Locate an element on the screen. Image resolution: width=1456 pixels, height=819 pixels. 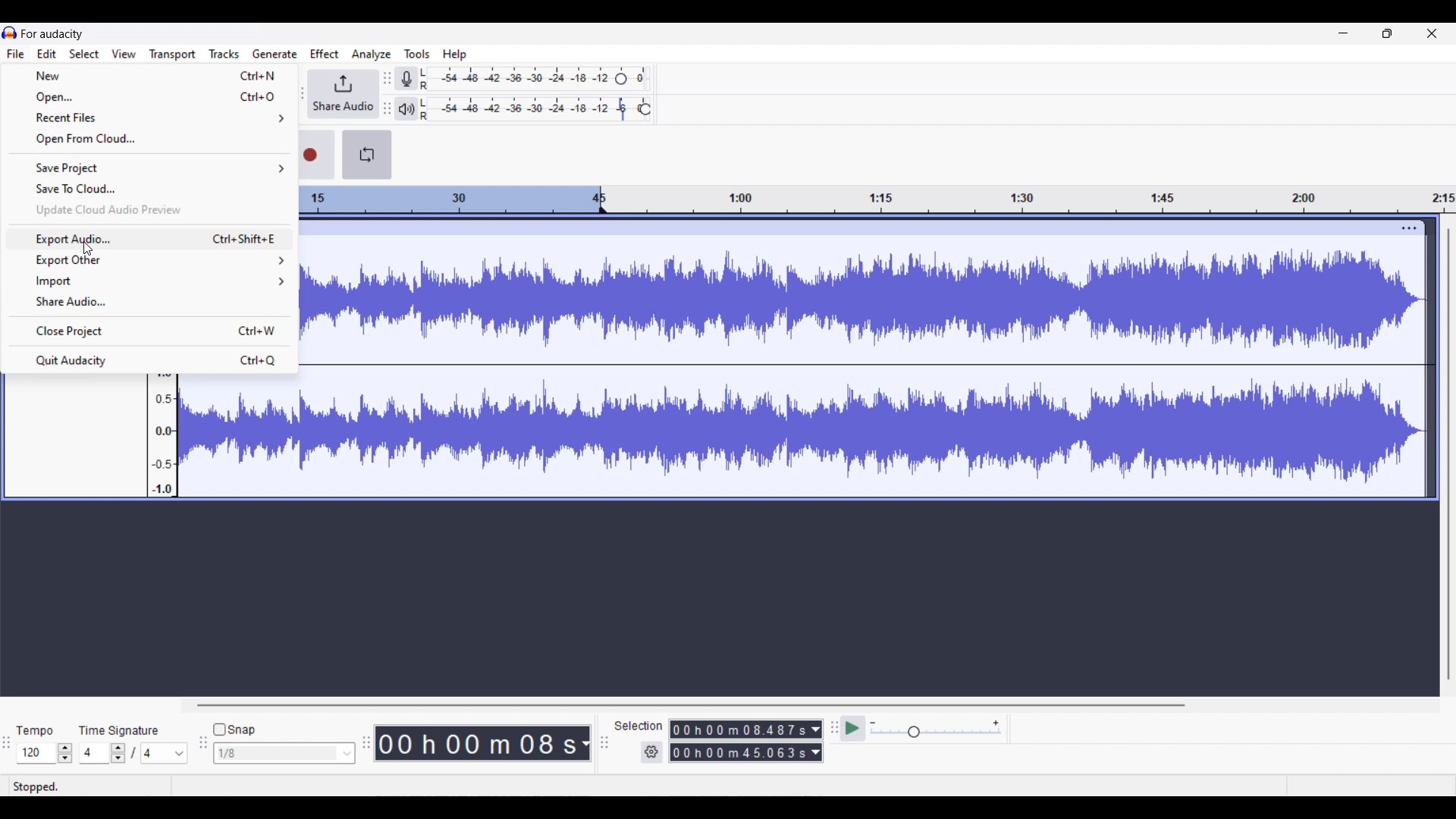
Edit menu is located at coordinates (46, 54).